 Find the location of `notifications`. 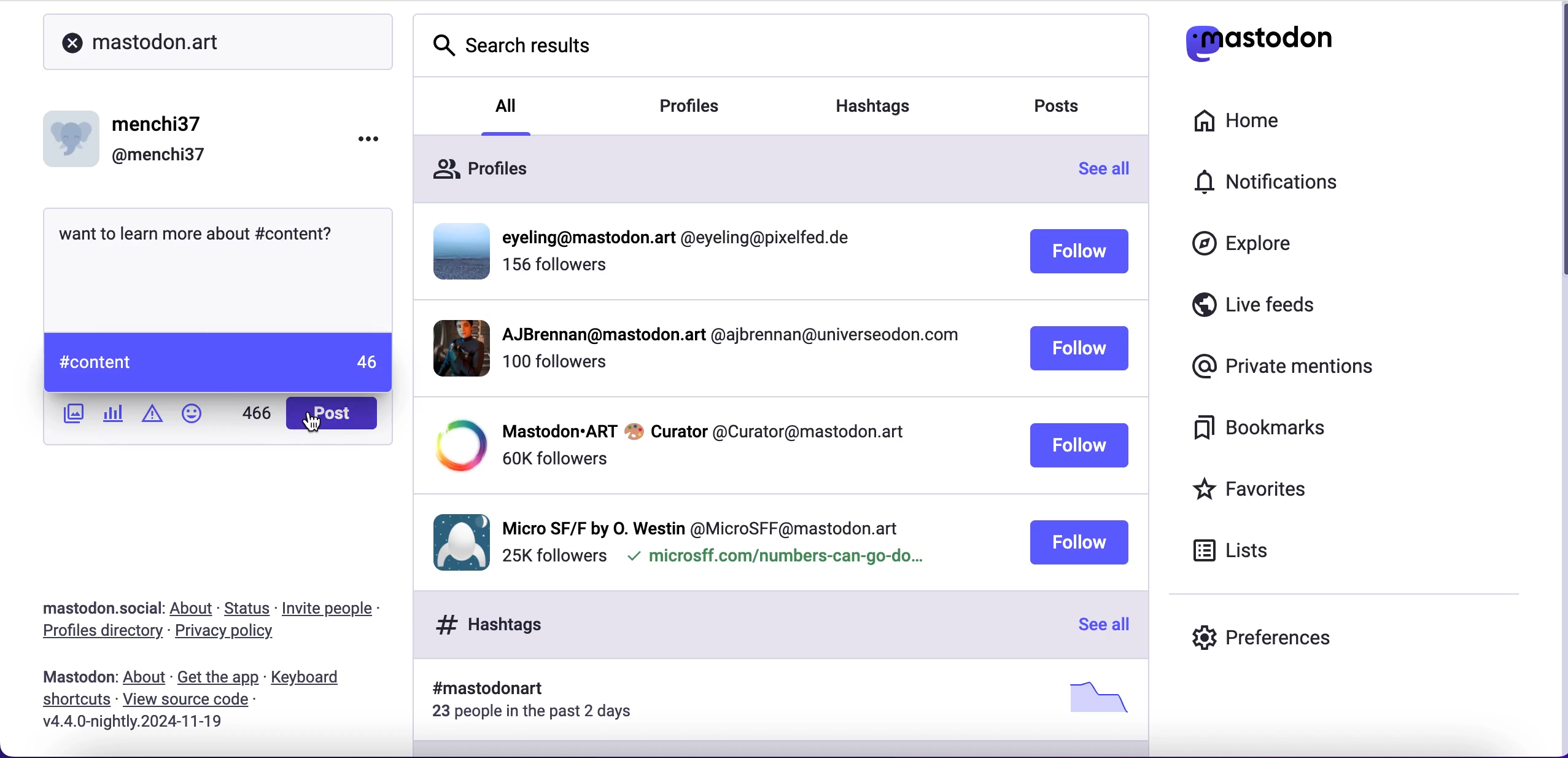

notifications is located at coordinates (1294, 186).